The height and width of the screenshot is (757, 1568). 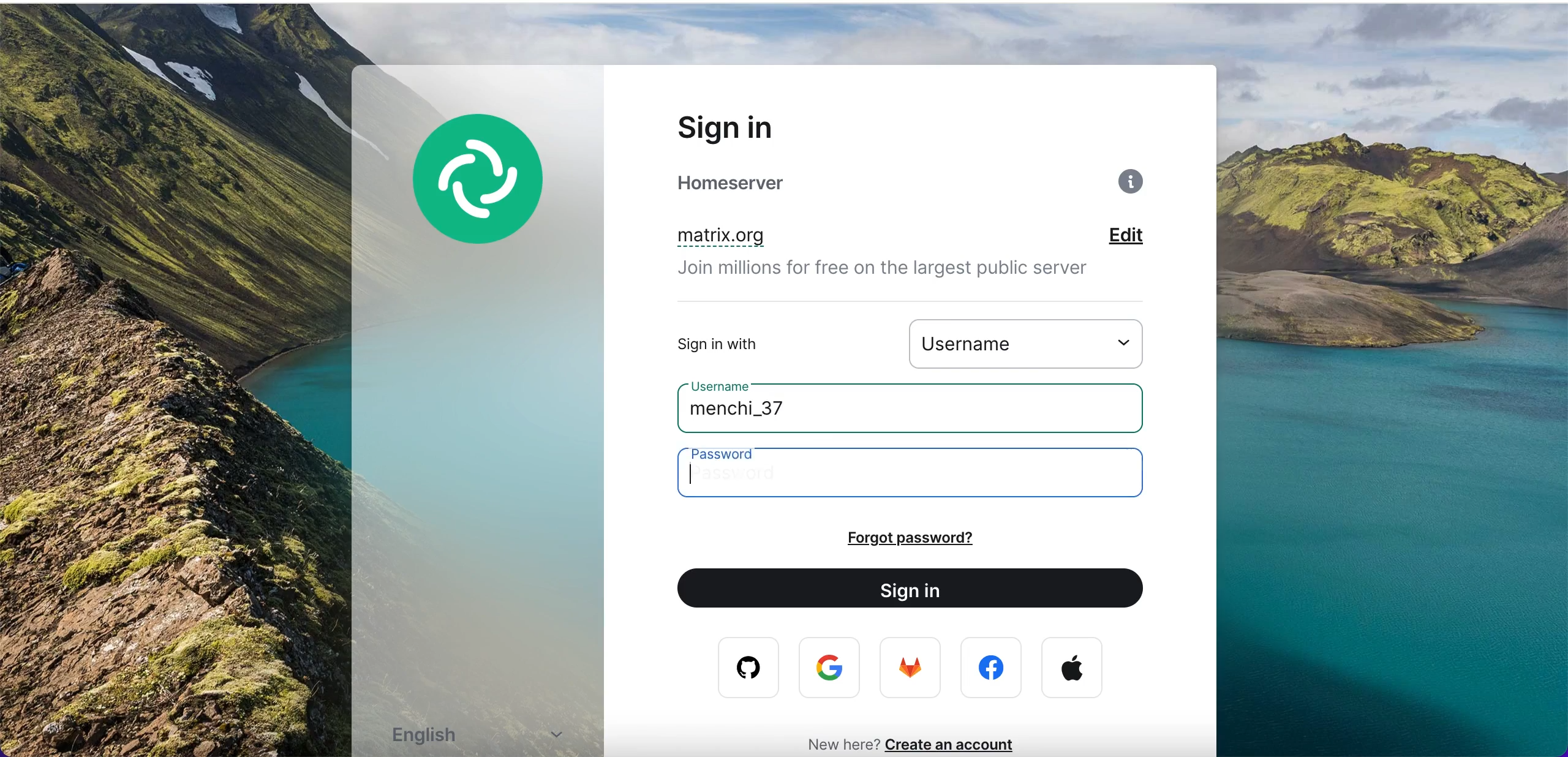 What do you see at coordinates (994, 668) in the screenshot?
I see `facebook logo` at bounding box center [994, 668].